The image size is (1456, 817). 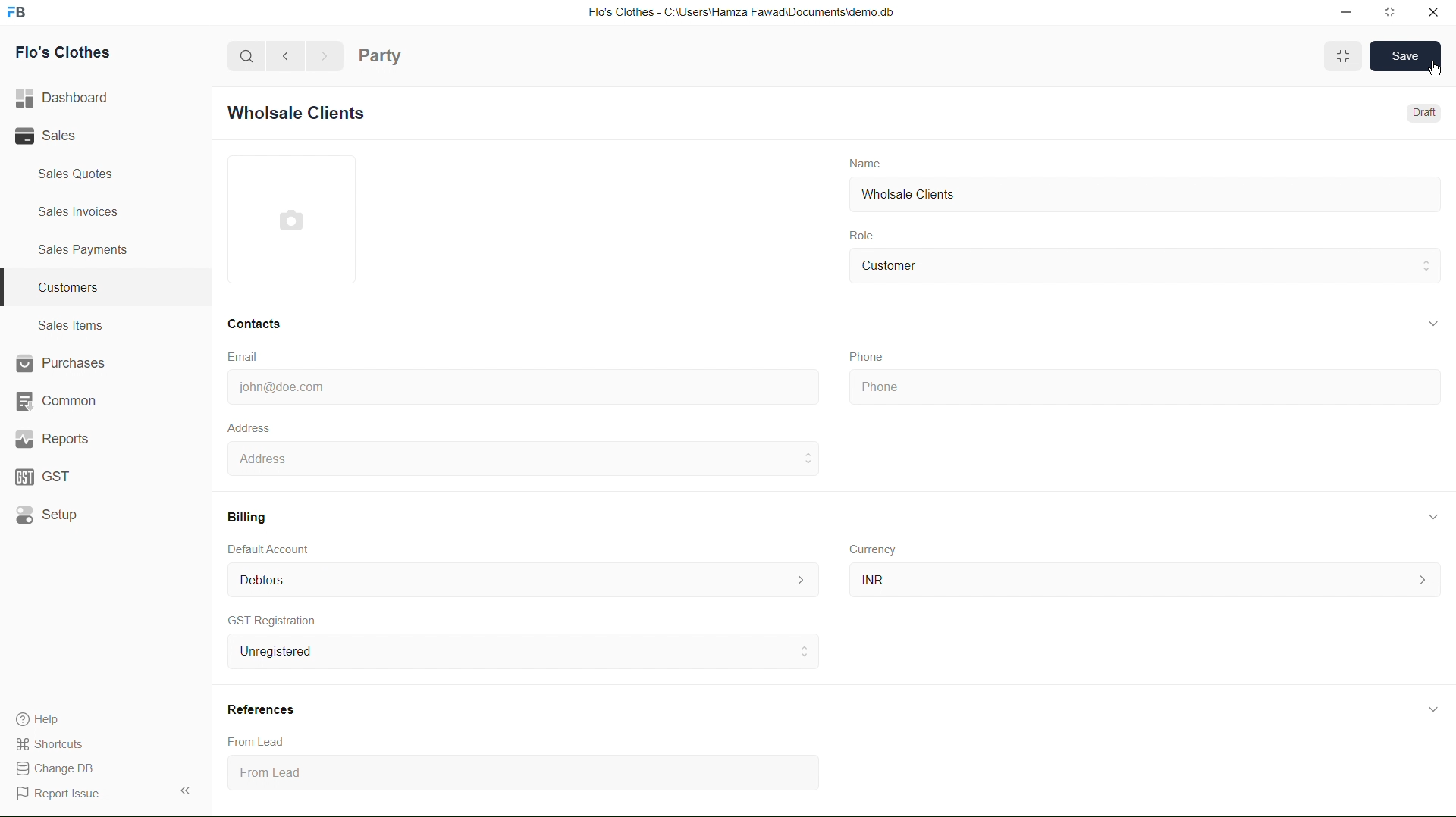 I want to click on search, so click(x=243, y=55).